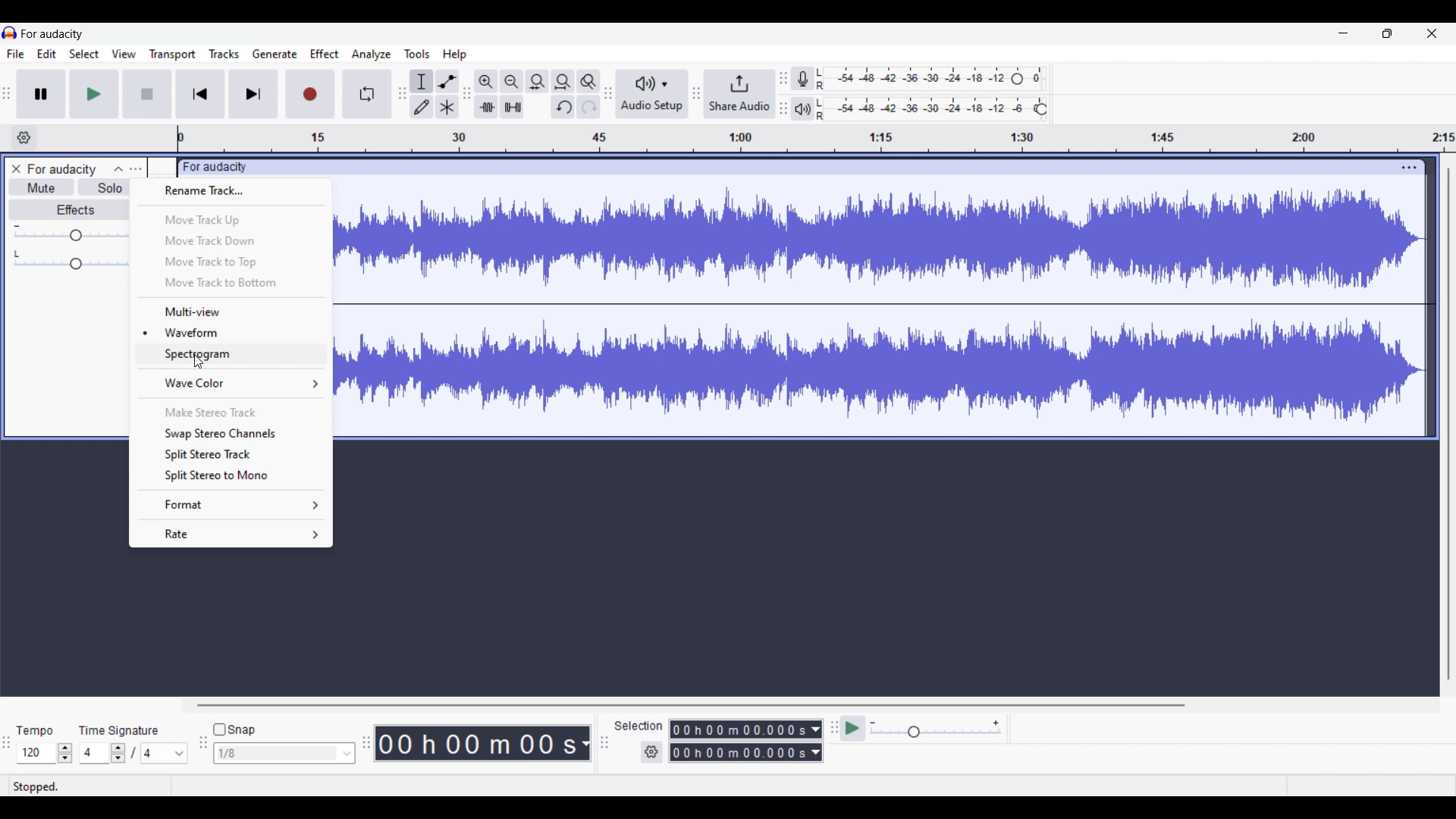 The image size is (1456, 819). I want to click on Zoom out, so click(513, 82).